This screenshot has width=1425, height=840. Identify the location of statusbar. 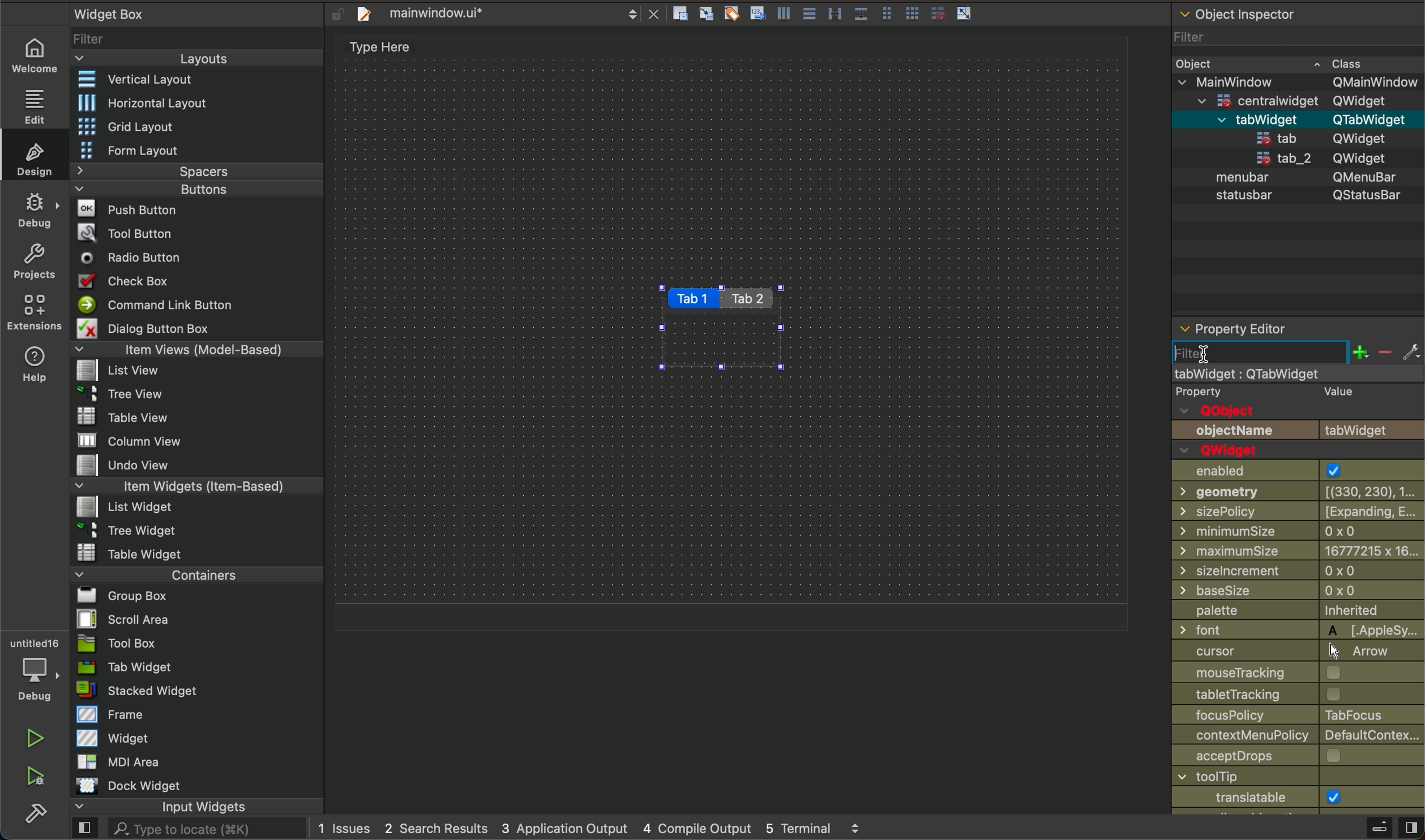
(1247, 198).